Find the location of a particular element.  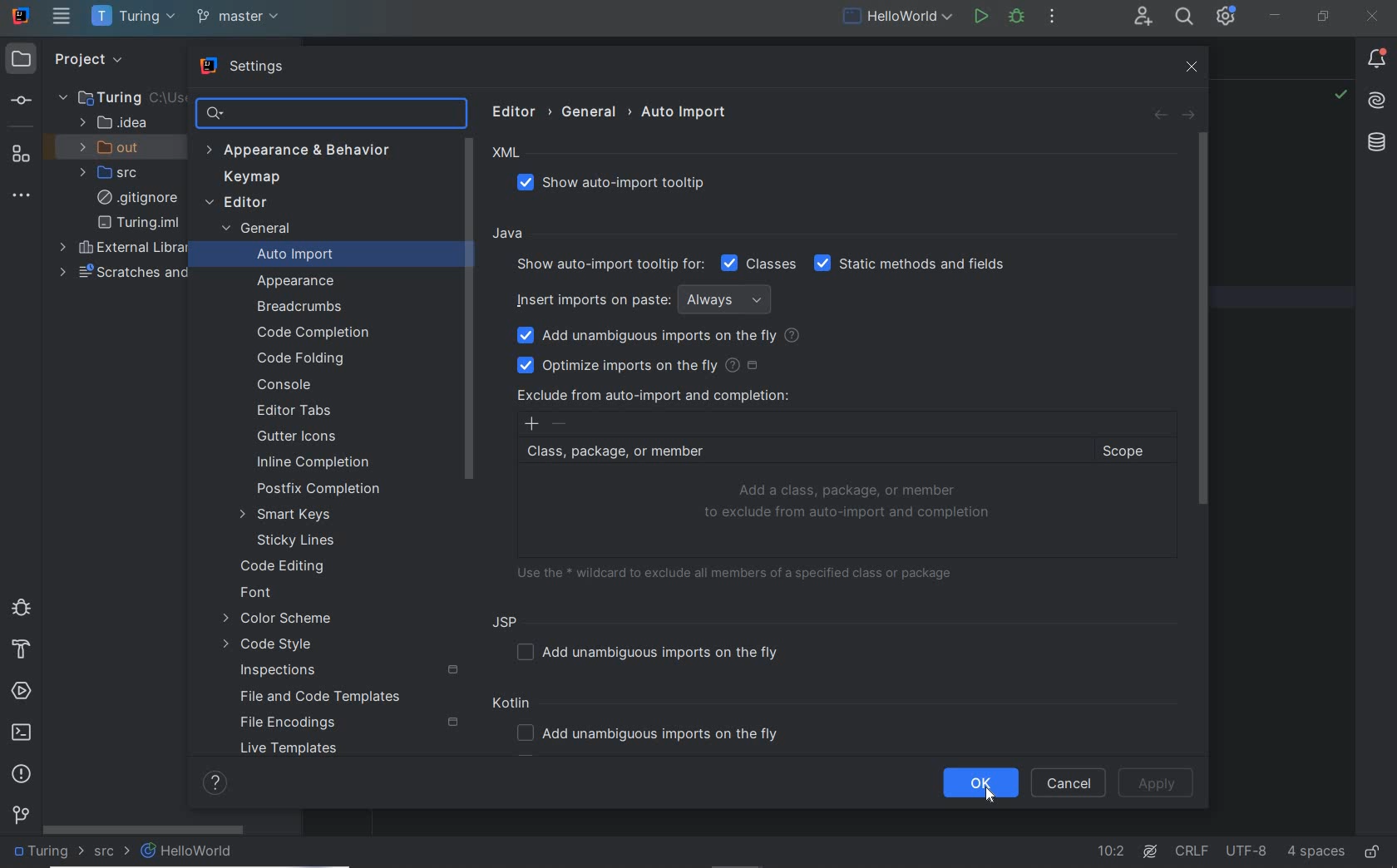

SETTINGS is located at coordinates (244, 68).